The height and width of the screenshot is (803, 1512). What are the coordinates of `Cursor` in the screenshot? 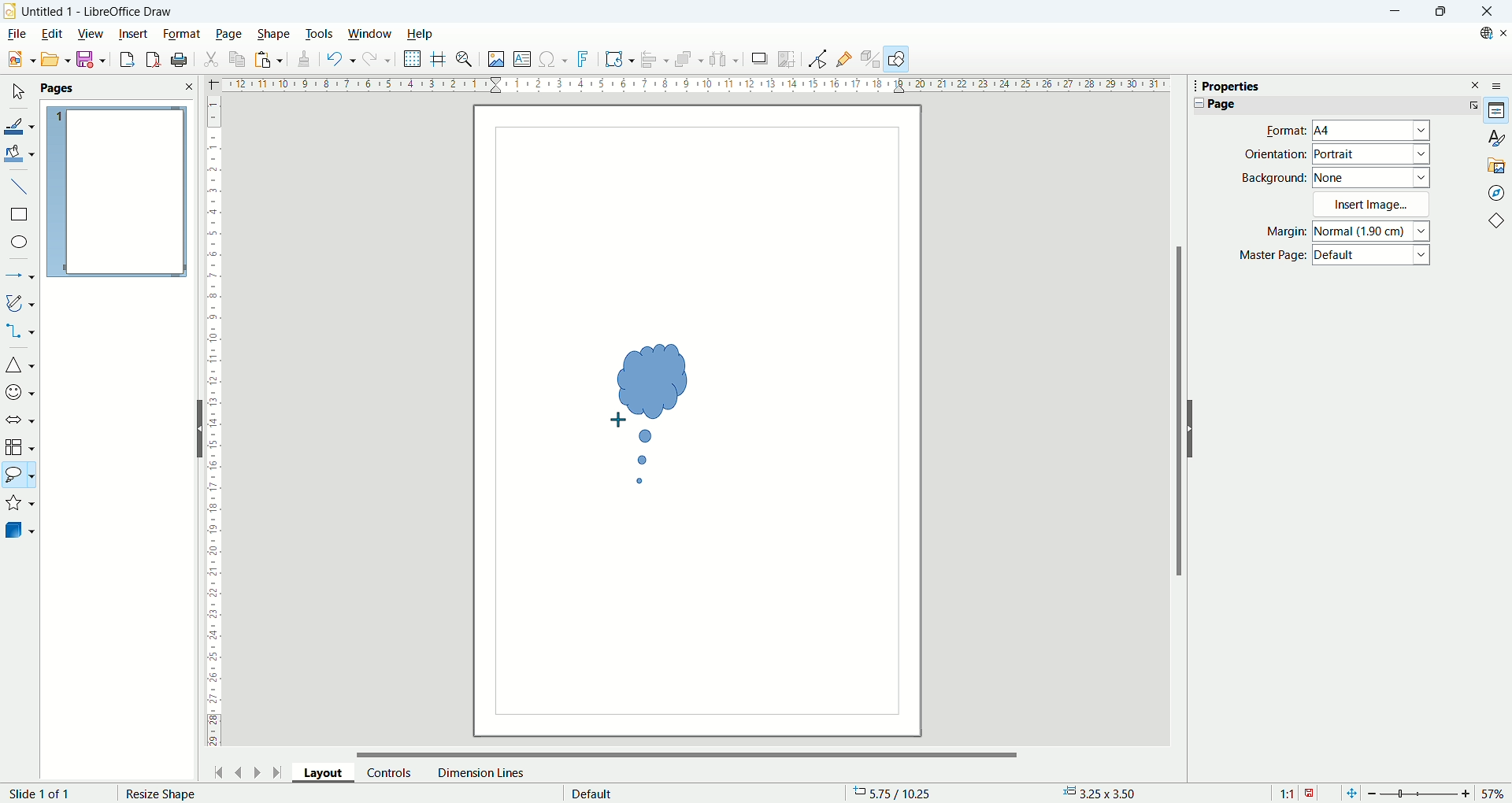 It's located at (618, 420).